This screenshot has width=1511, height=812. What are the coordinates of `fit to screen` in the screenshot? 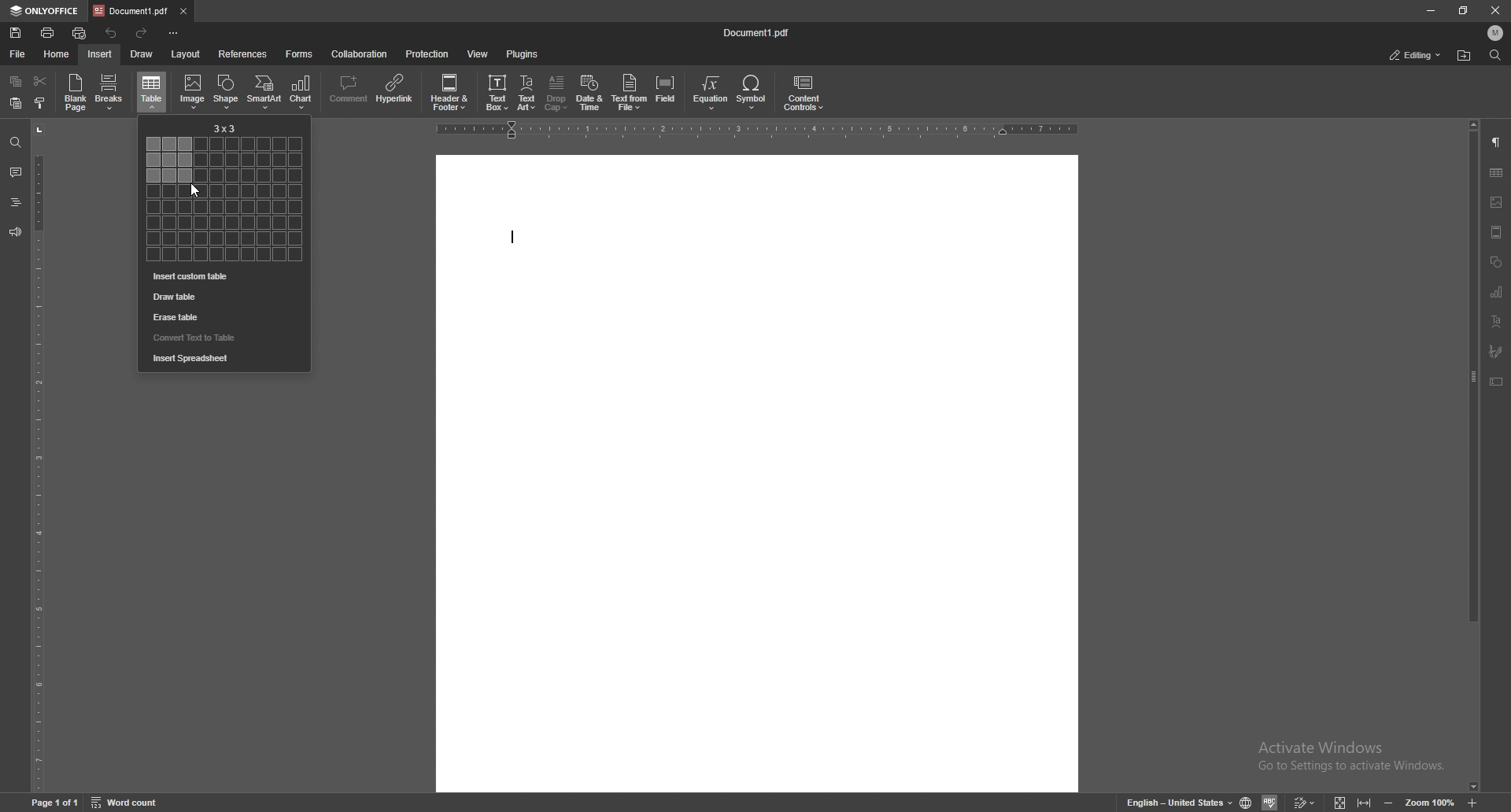 It's located at (1343, 801).